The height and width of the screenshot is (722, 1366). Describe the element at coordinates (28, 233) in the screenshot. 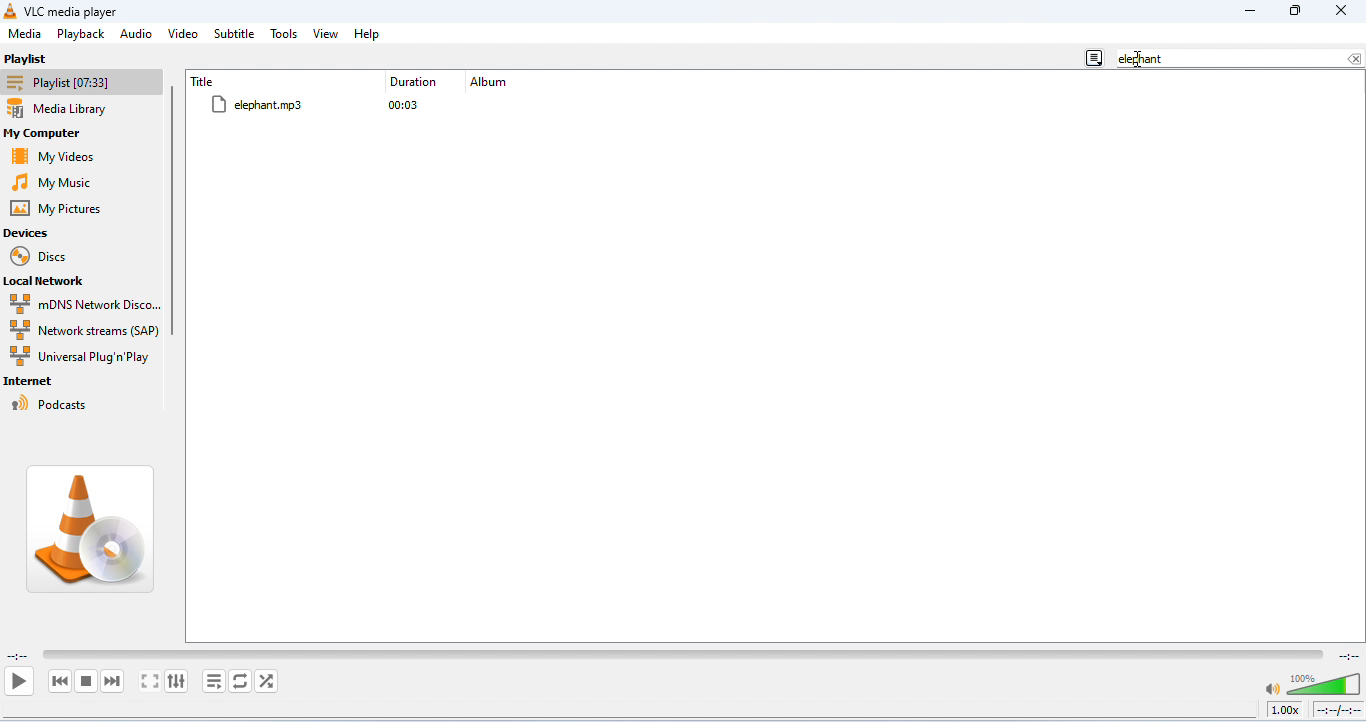

I see `devices` at that location.